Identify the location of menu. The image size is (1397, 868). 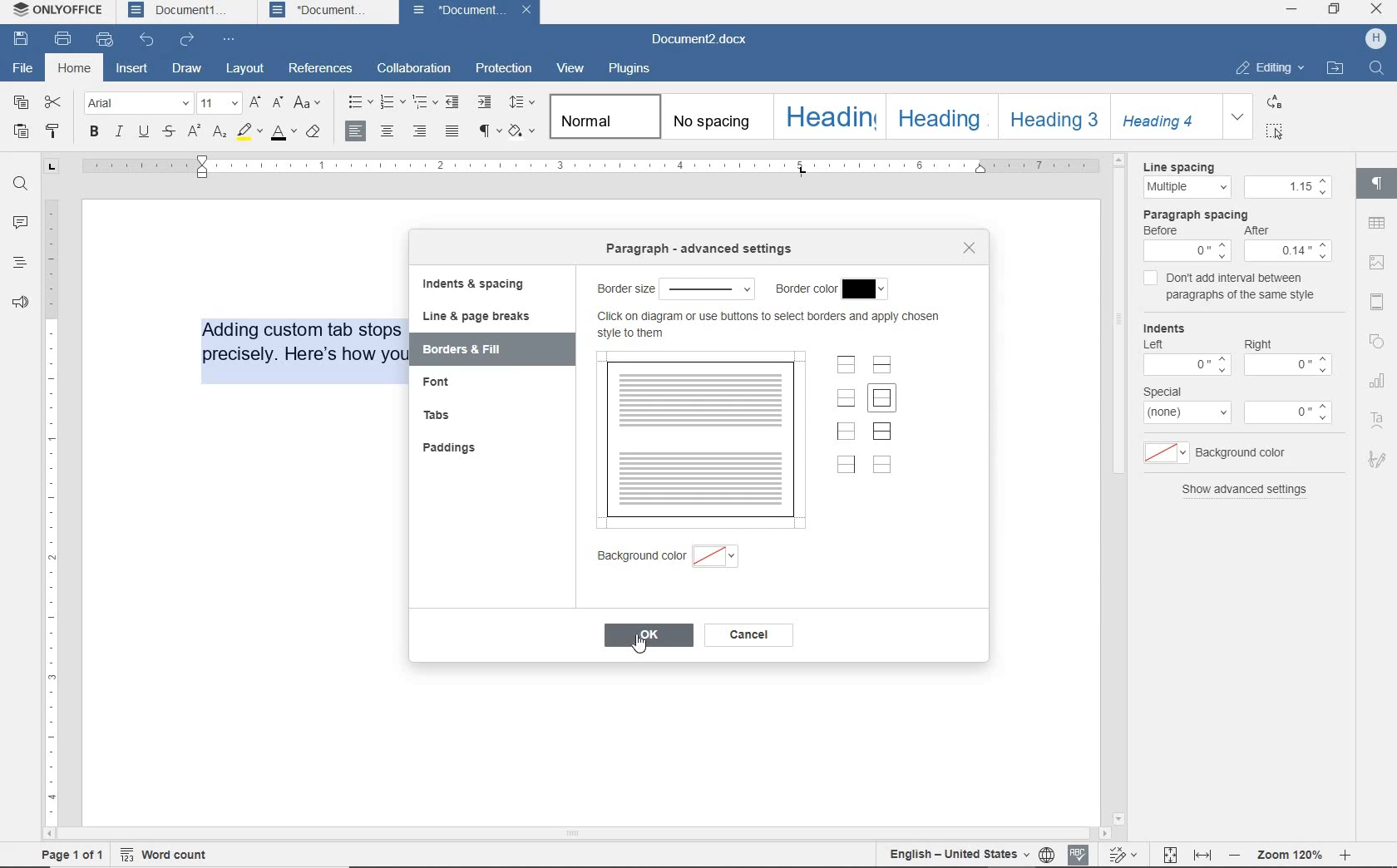
(1163, 451).